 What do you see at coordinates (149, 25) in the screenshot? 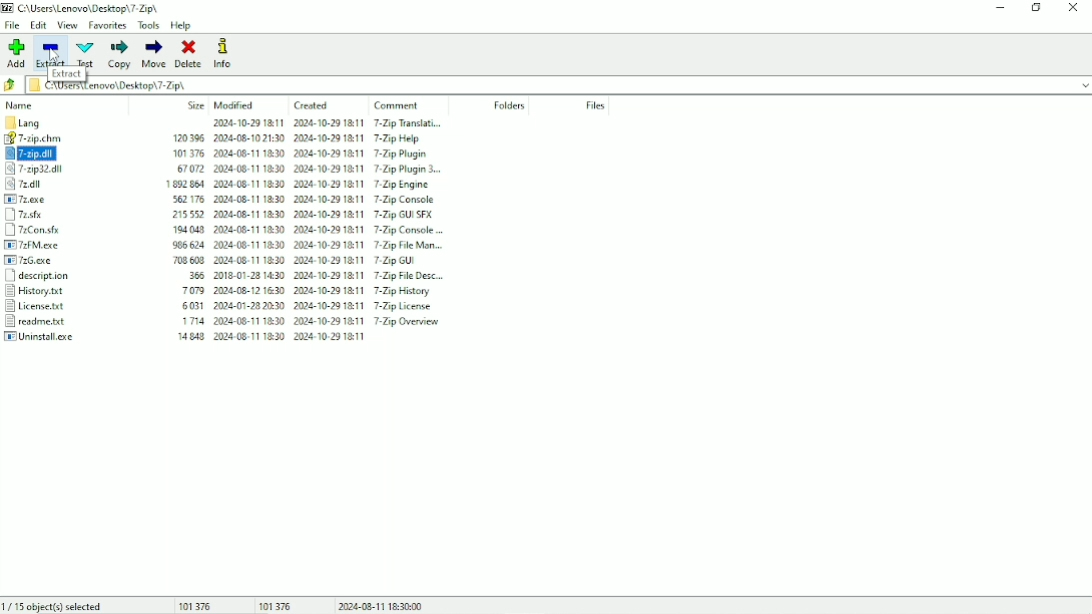
I see `Tools` at bounding box center [149, 25].